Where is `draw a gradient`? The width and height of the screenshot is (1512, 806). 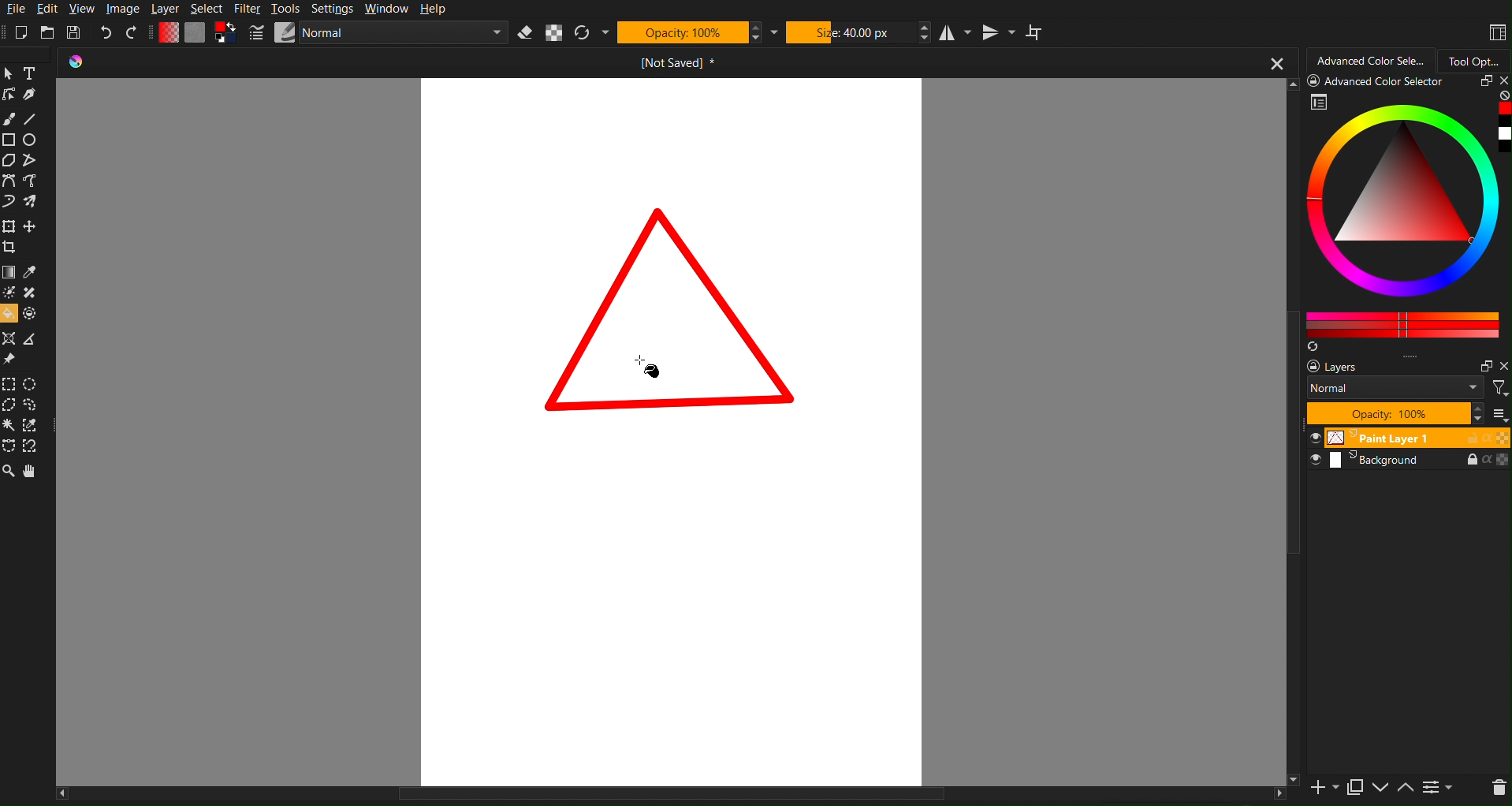 draw a gradient is located at coordinates (9, 272).